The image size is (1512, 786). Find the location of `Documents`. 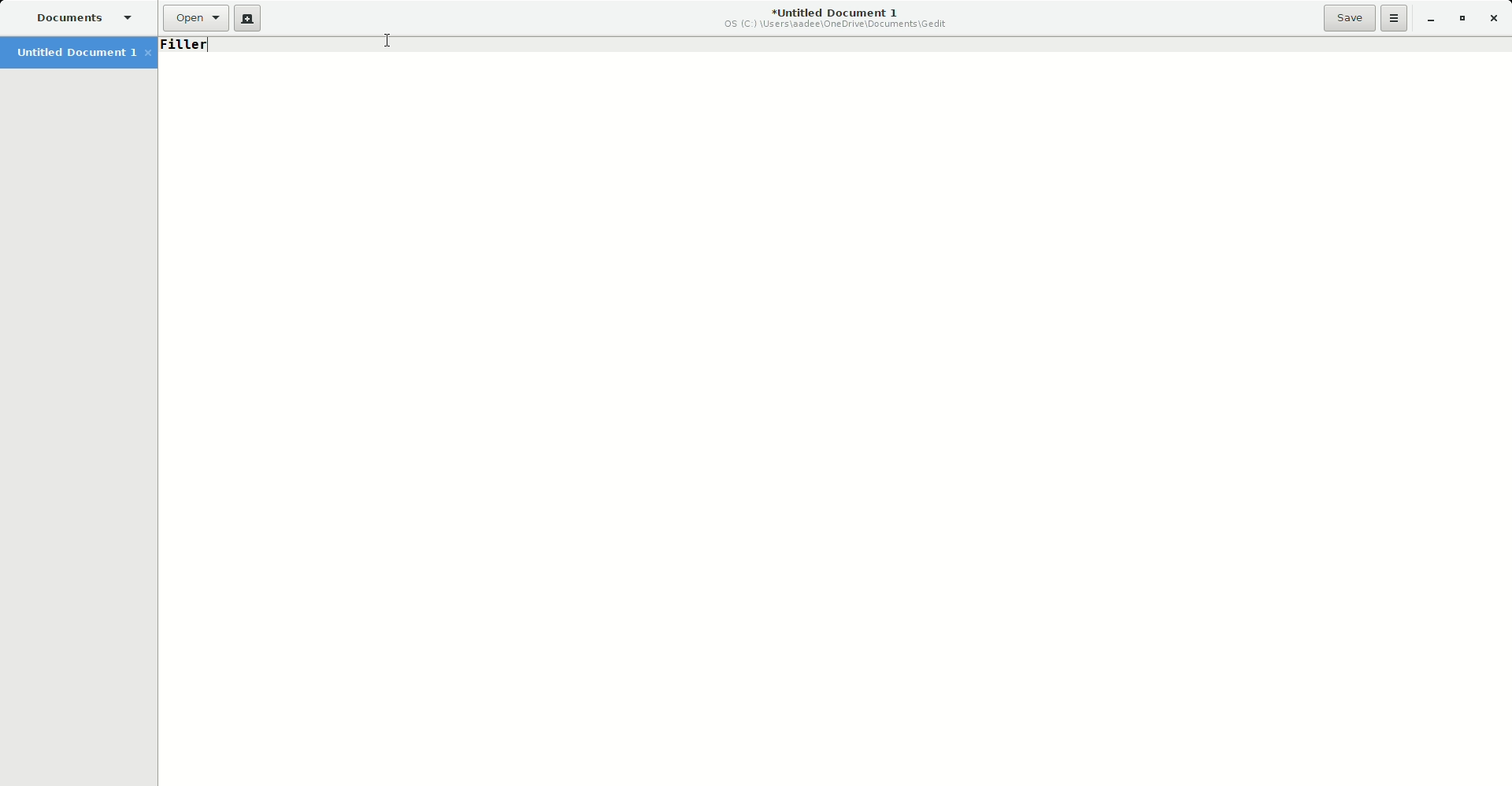

Documents is located at coordinates (81, 19).